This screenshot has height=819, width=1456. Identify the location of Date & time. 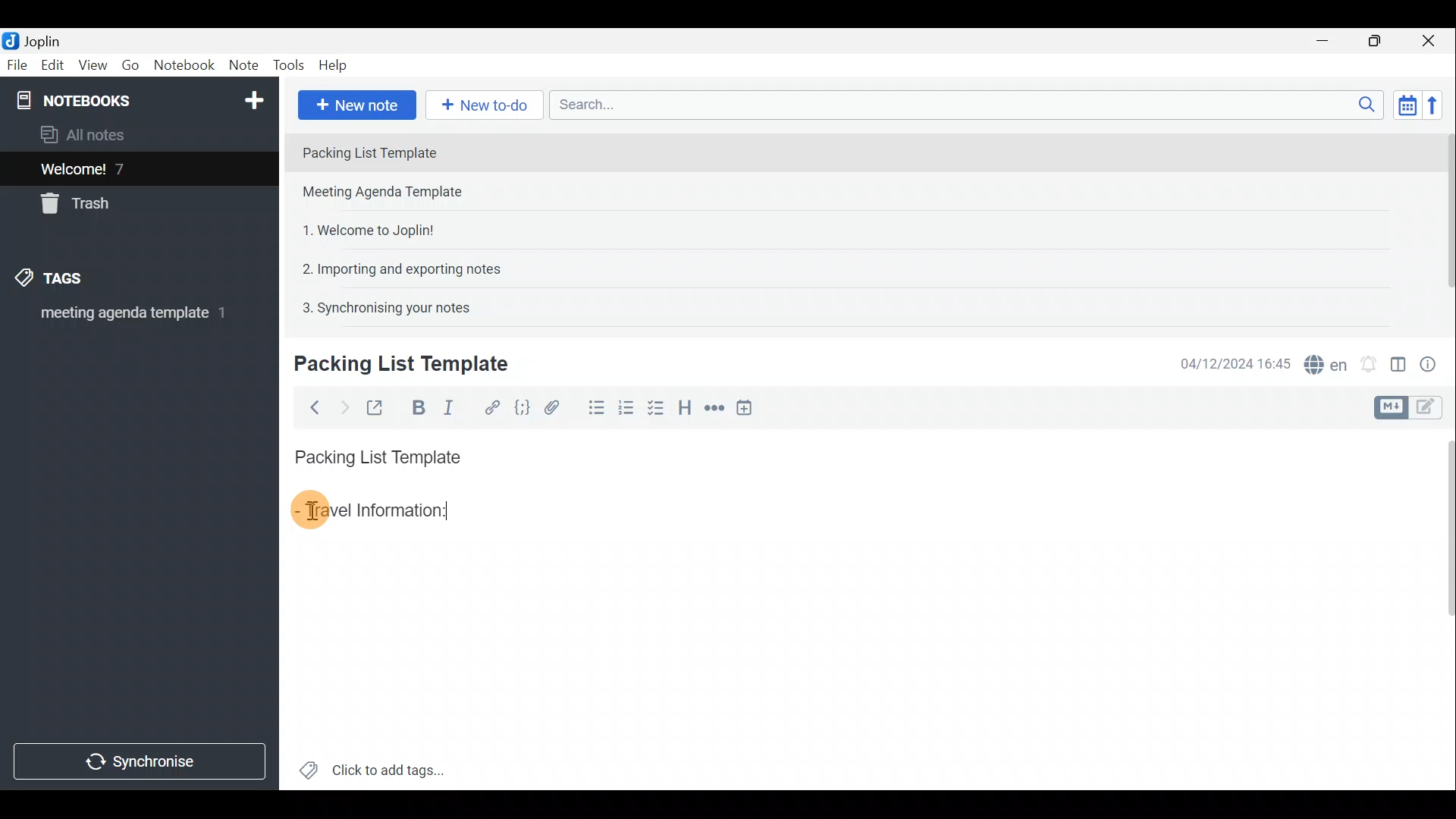
(1235, 362).